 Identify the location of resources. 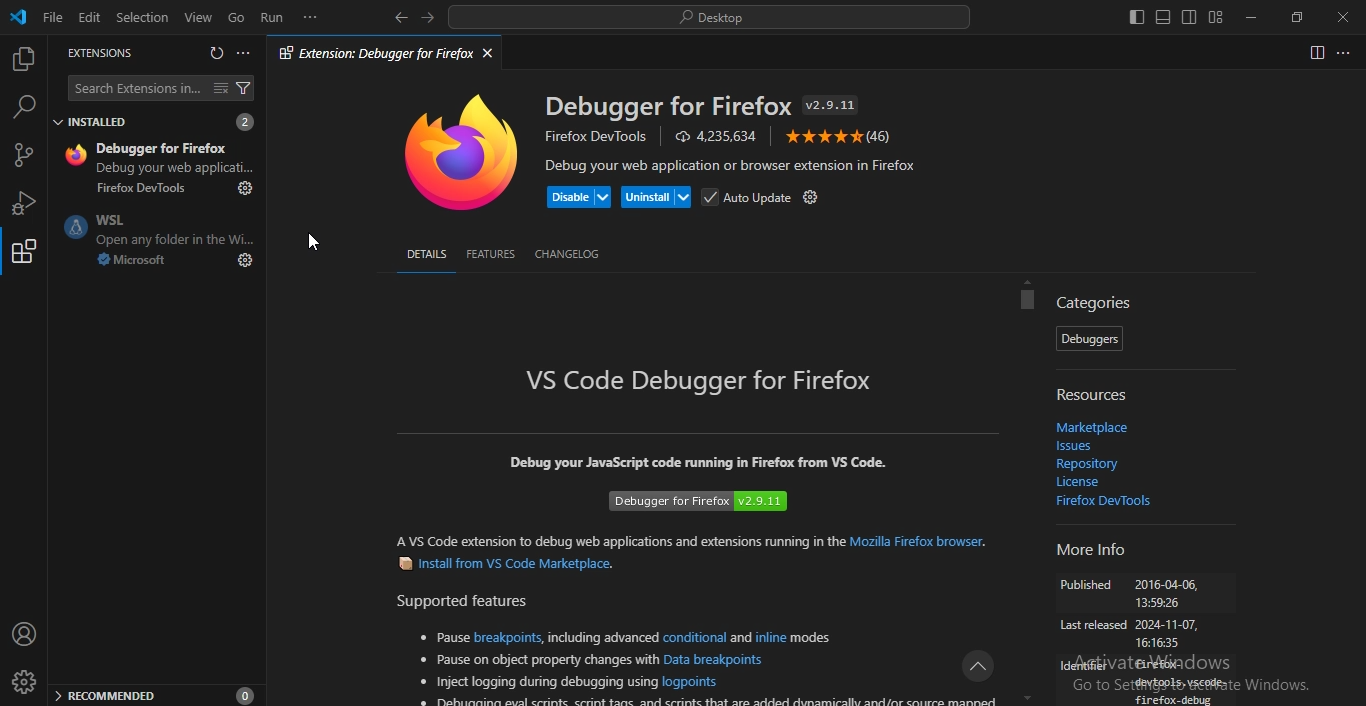
(1085, 391).